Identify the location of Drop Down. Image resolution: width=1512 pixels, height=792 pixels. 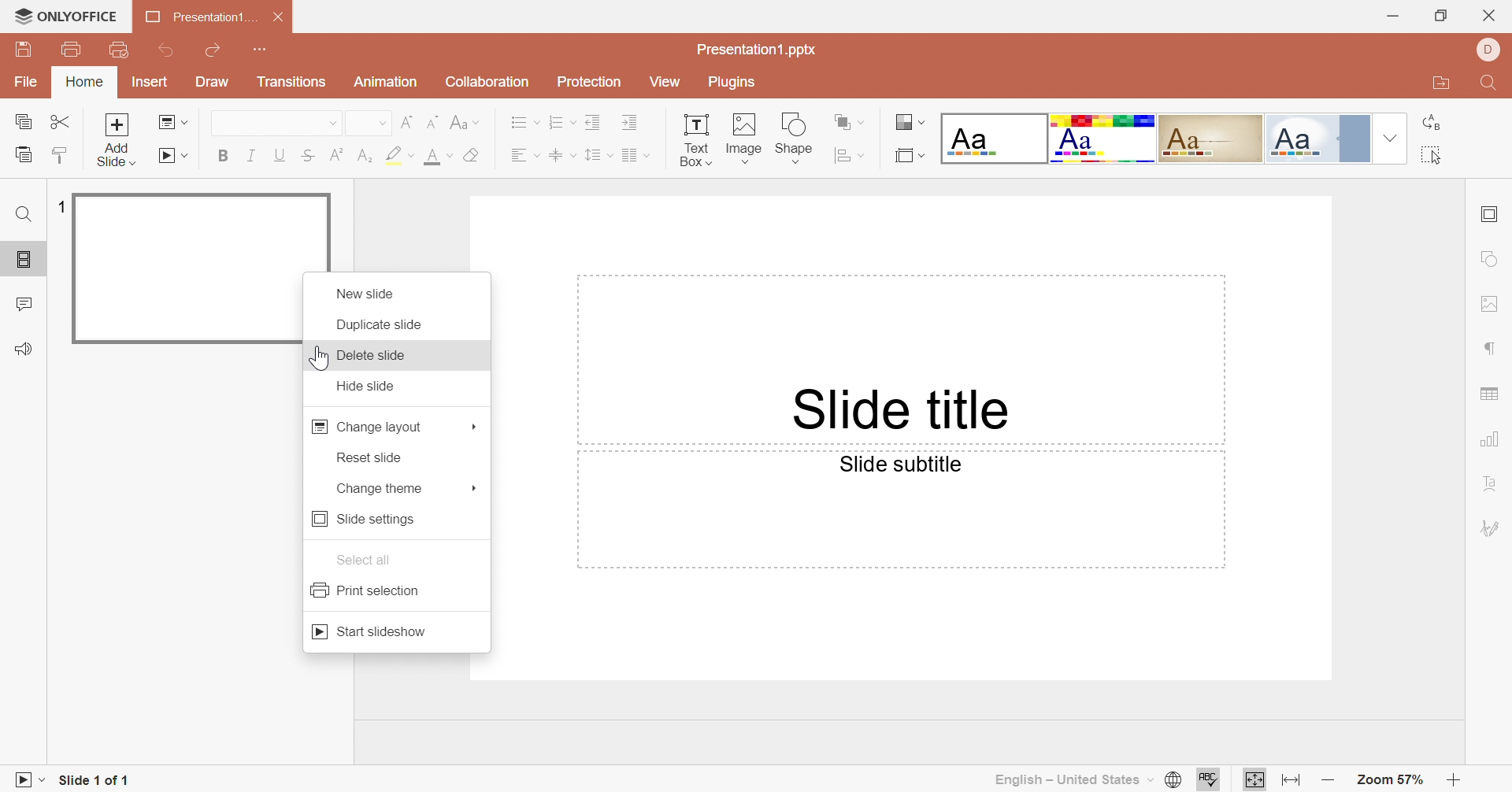
(334, 122).